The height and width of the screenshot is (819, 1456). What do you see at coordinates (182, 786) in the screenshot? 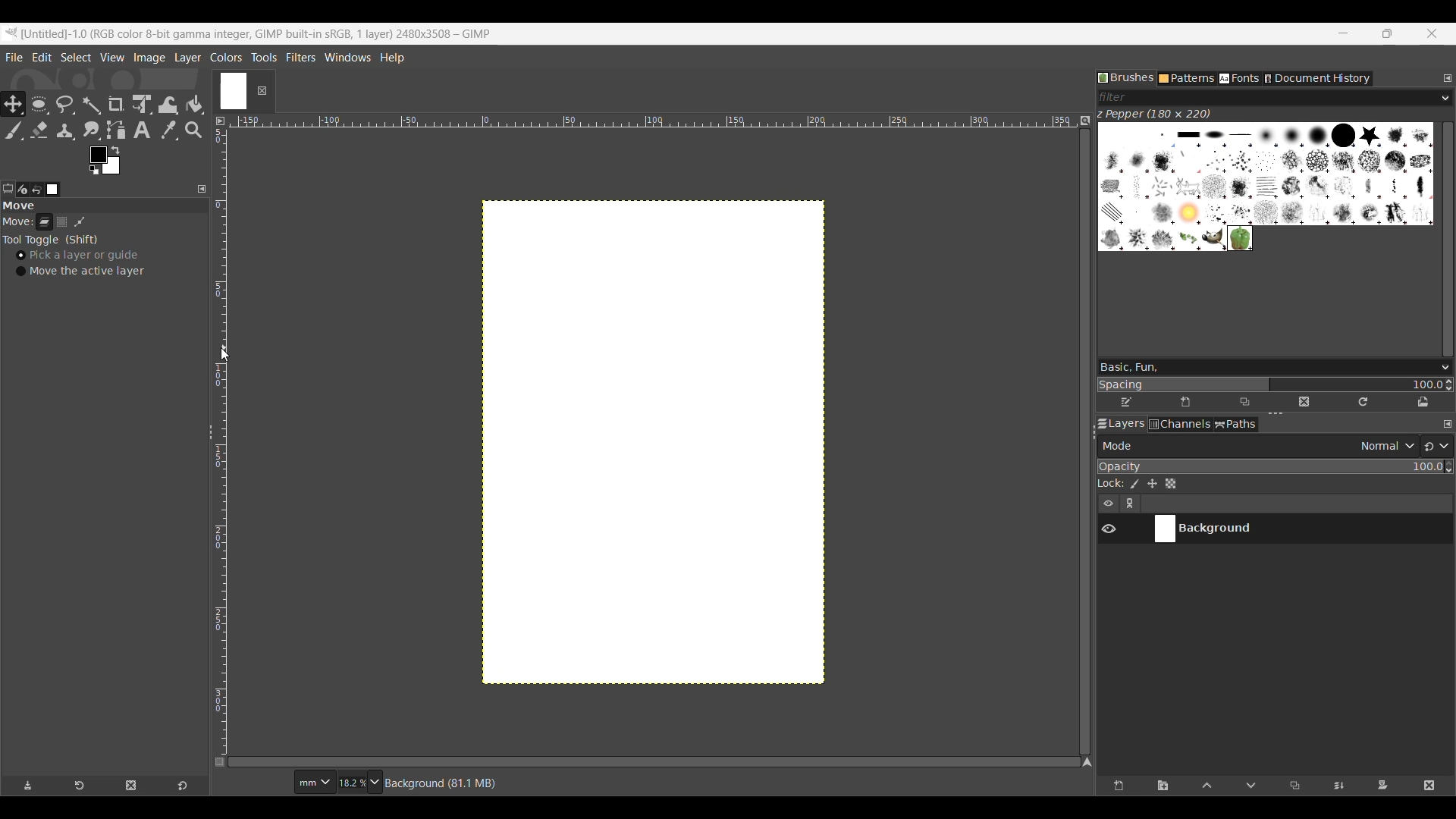
I see `Reset to default values` at bounding box center [182, 786].